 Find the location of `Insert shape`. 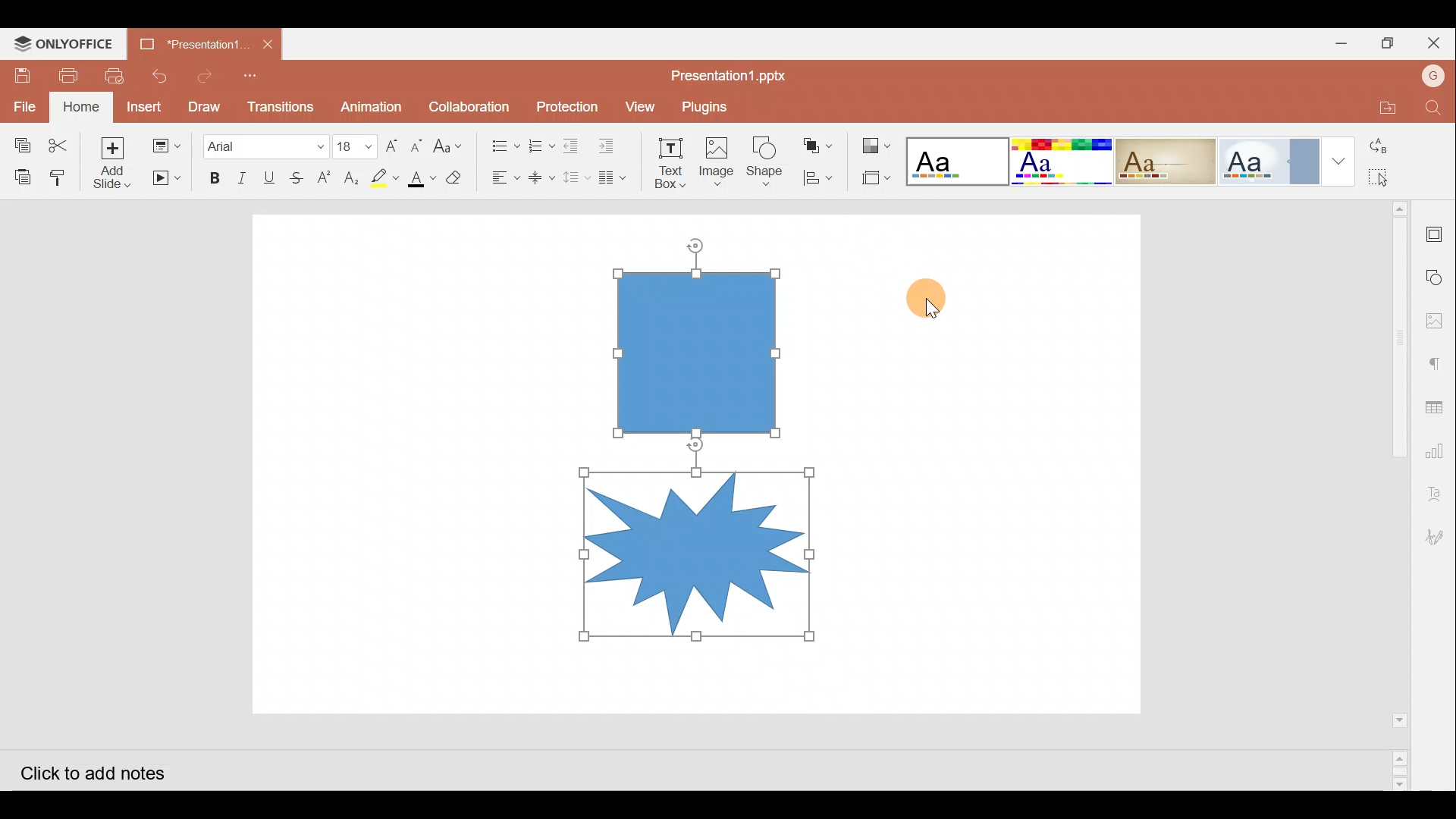

Insert shape is located at coordinates (764, 155).